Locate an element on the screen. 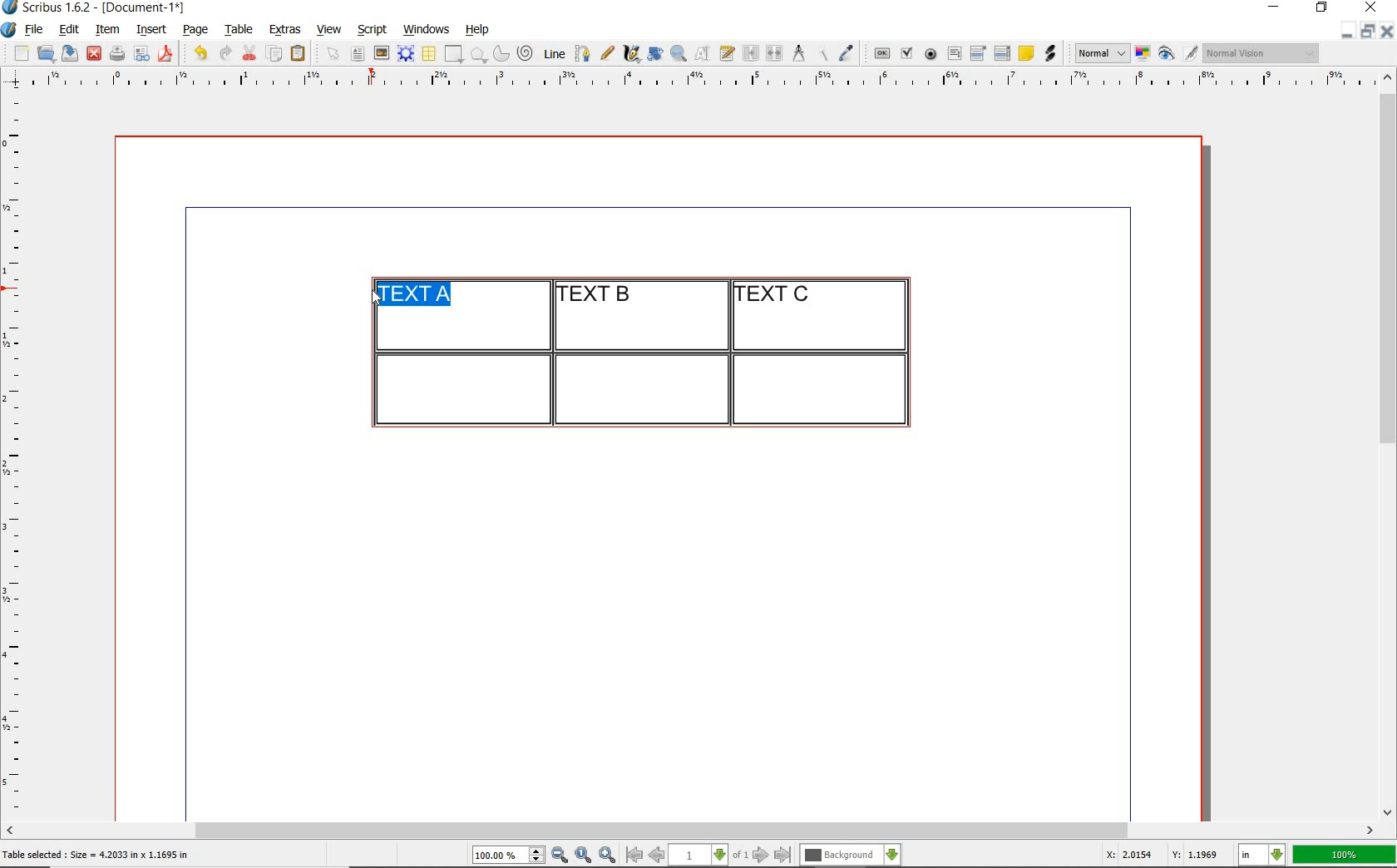 The width and height of the screenshot is (1397, 868). link text frames is located at coordinates (752, 55).